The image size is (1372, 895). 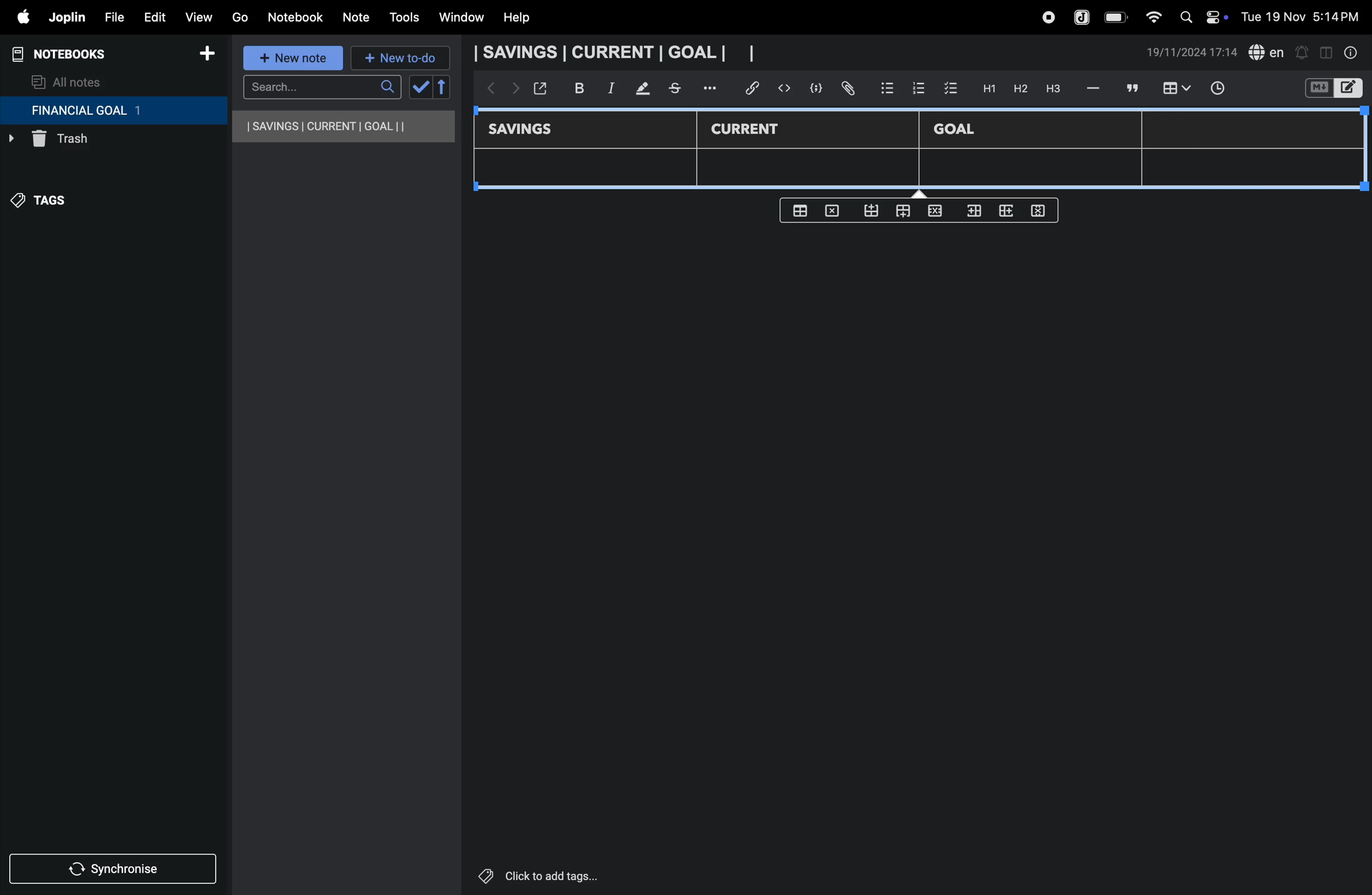 I want to click on window, so click(x=460, y=18).